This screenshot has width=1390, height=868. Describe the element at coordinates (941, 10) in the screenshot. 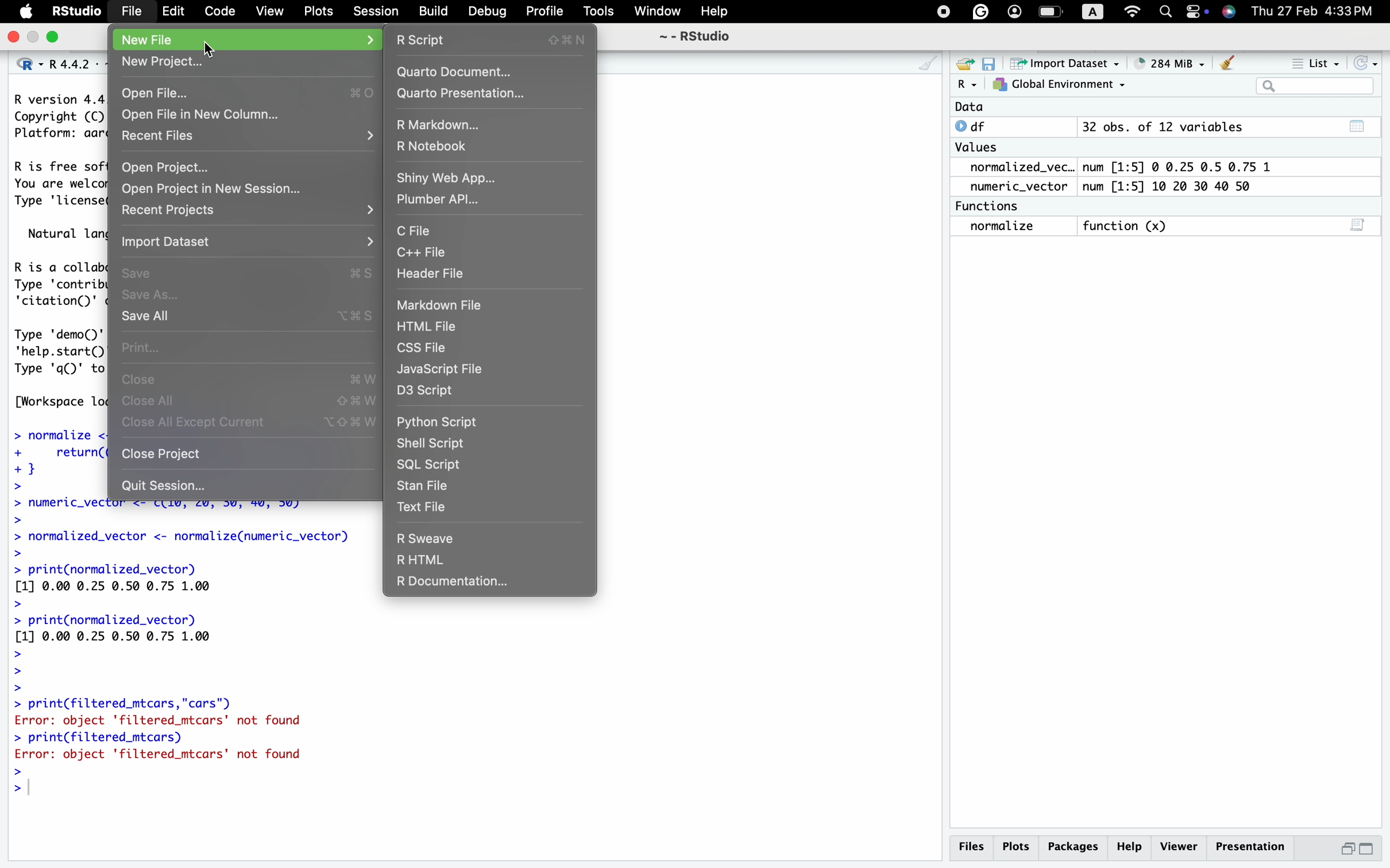

I see `PAUSE` at that location.